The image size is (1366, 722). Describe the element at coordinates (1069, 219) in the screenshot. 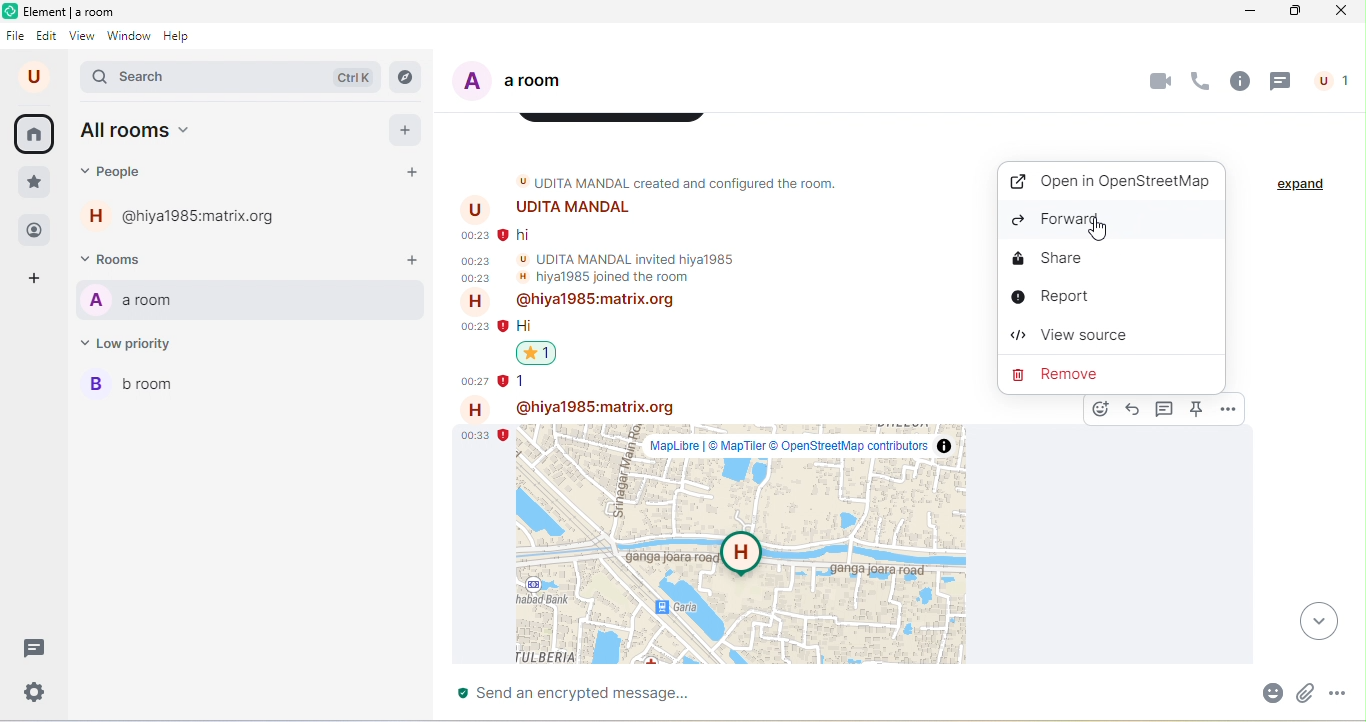

I see `forward` at that location.